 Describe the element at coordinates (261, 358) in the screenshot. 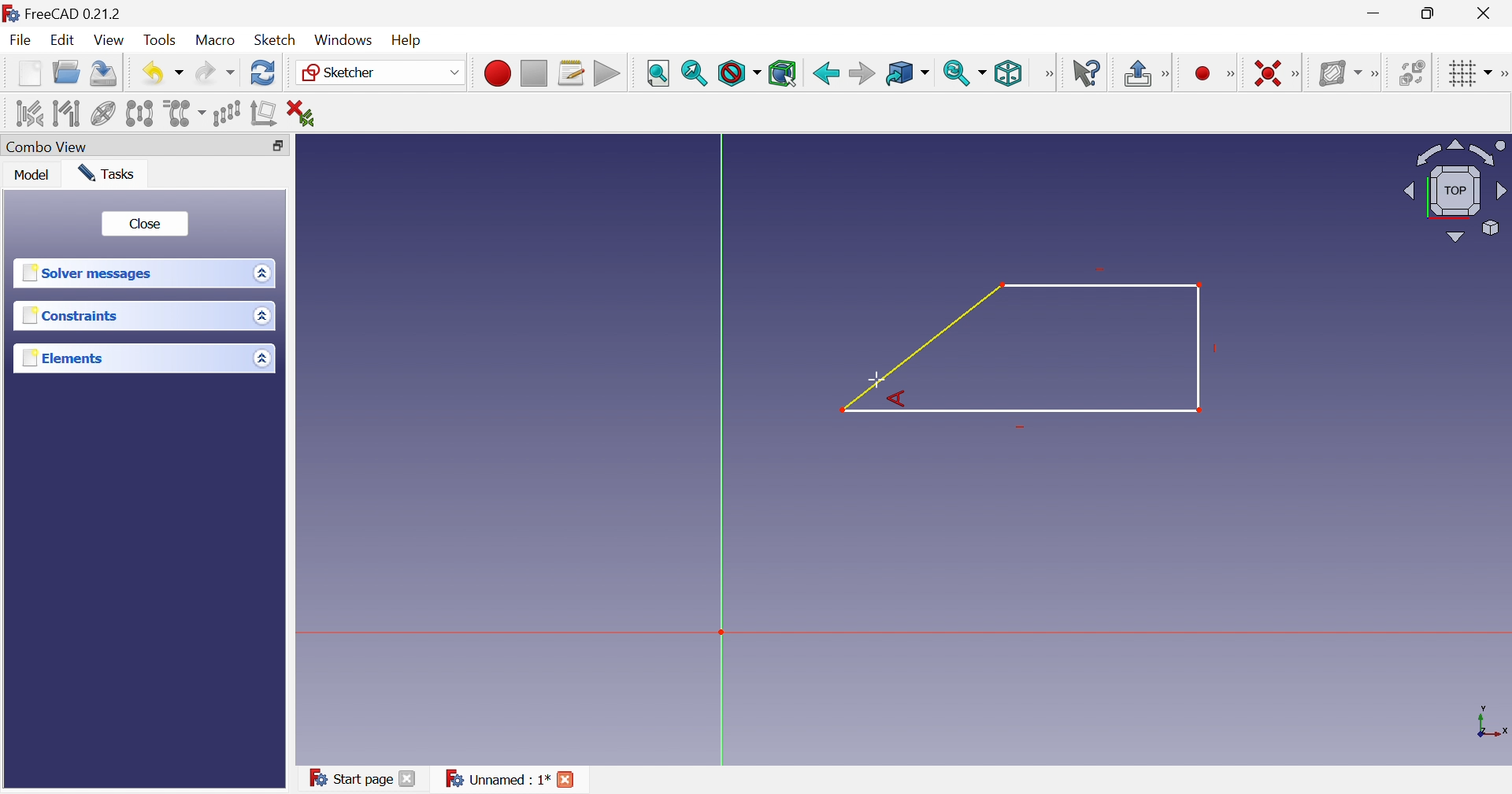

I see `Drop Down` at that location.